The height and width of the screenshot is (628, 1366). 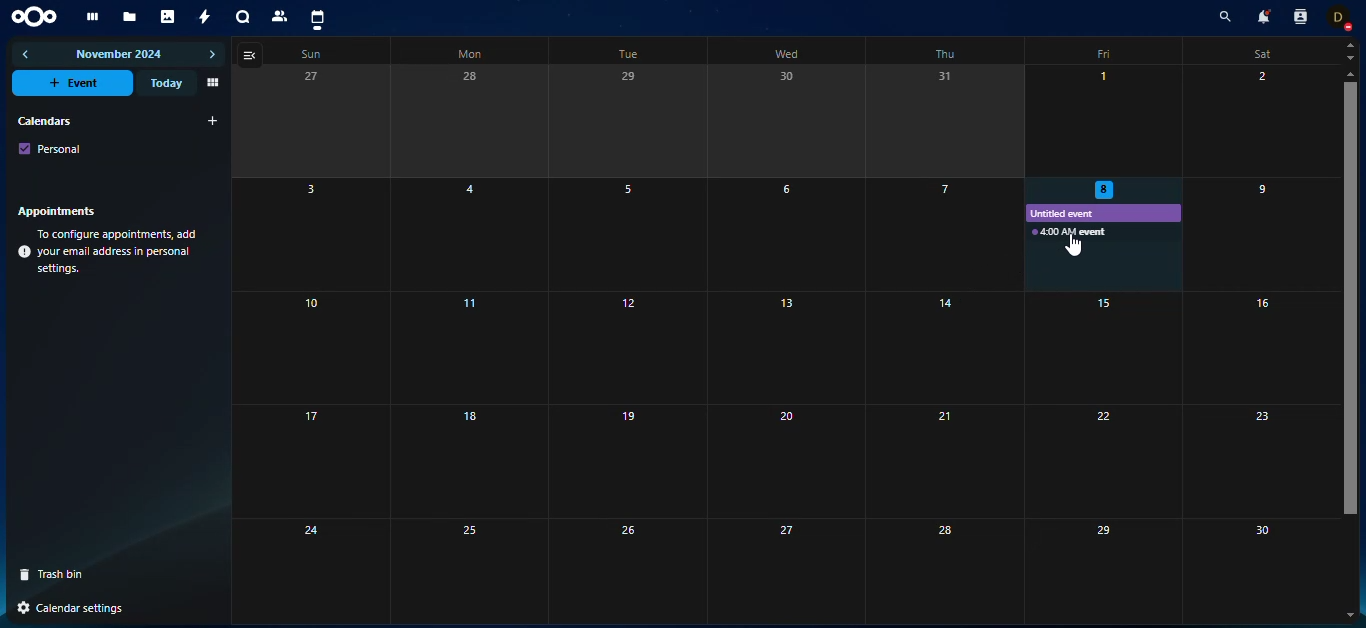 I want to click on contact, so click(x=281, y=16).